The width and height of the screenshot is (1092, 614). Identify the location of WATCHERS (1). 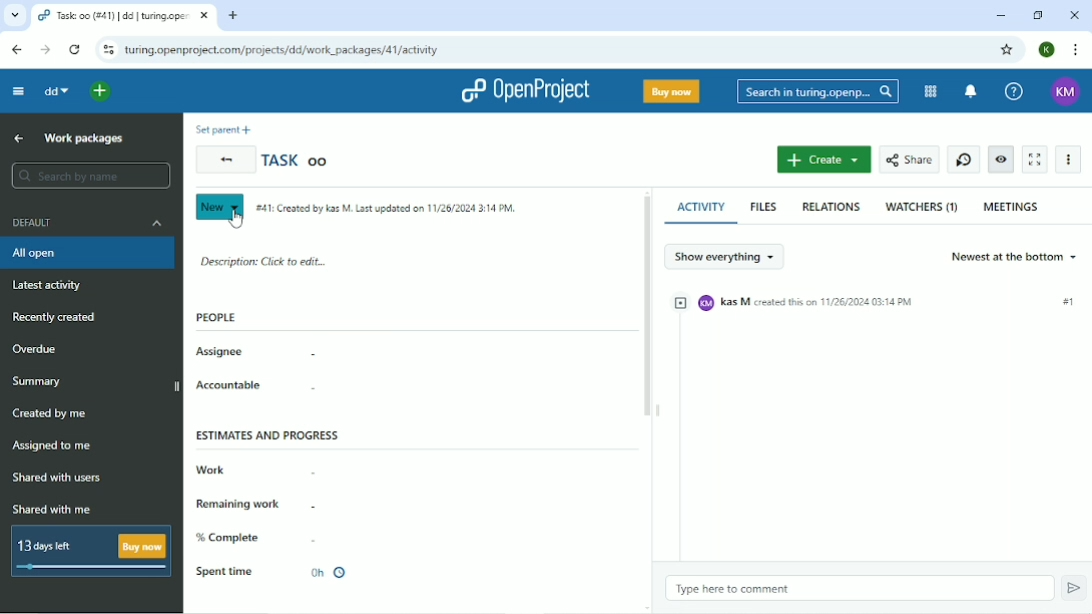
(921, 207).